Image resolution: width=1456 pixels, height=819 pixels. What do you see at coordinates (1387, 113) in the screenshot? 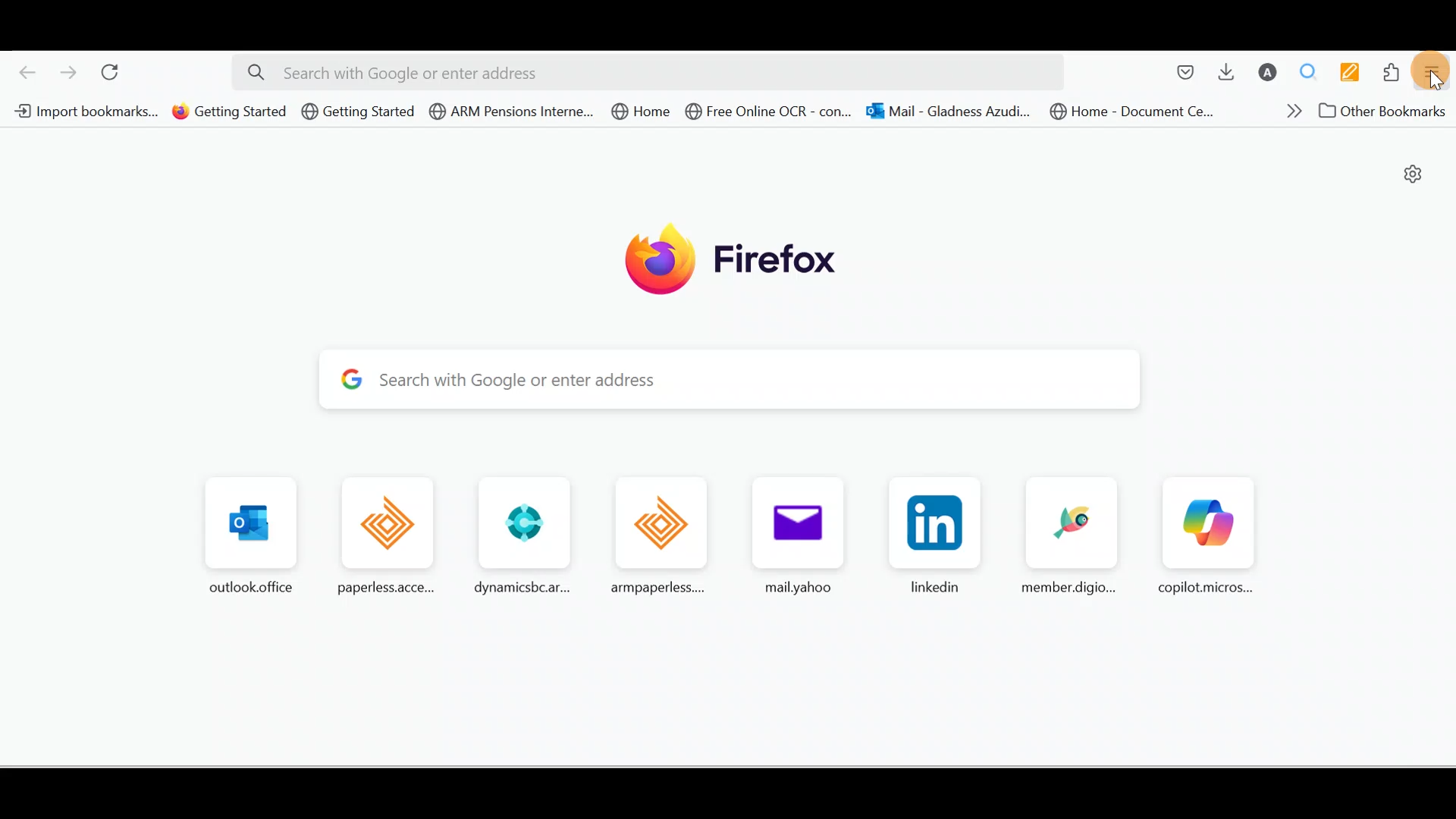
I see `Other bookmarks` at bounding box center [1387, 113].